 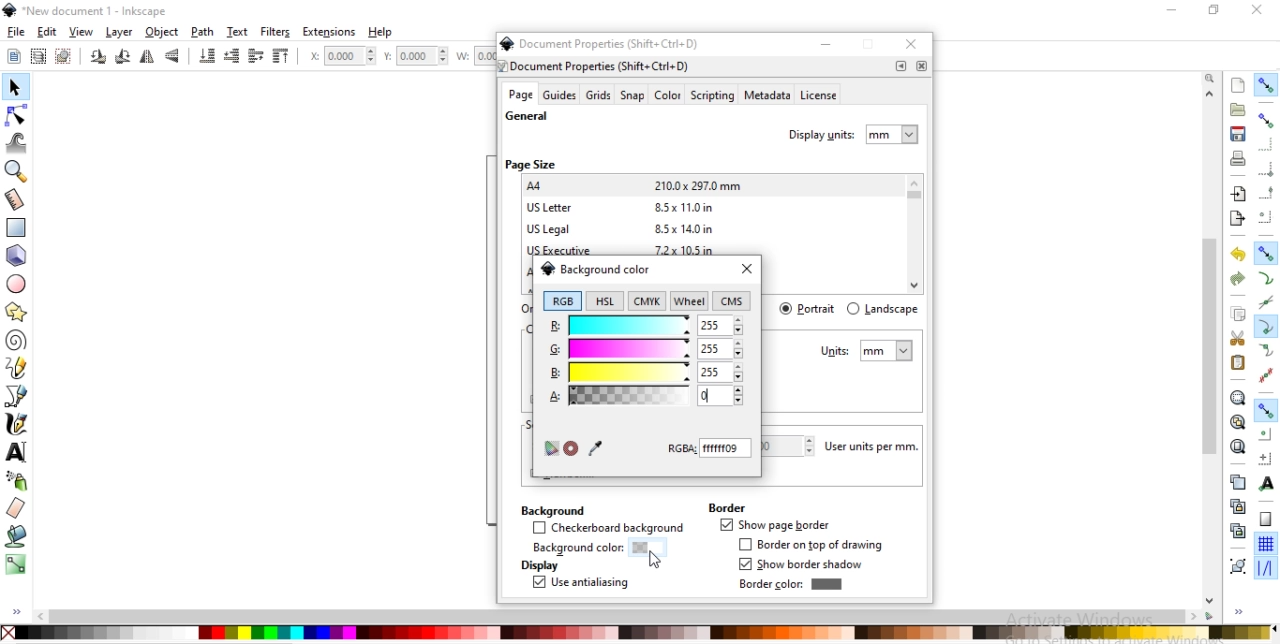 I want to click on flip vertically, so click(x=173, y=57).